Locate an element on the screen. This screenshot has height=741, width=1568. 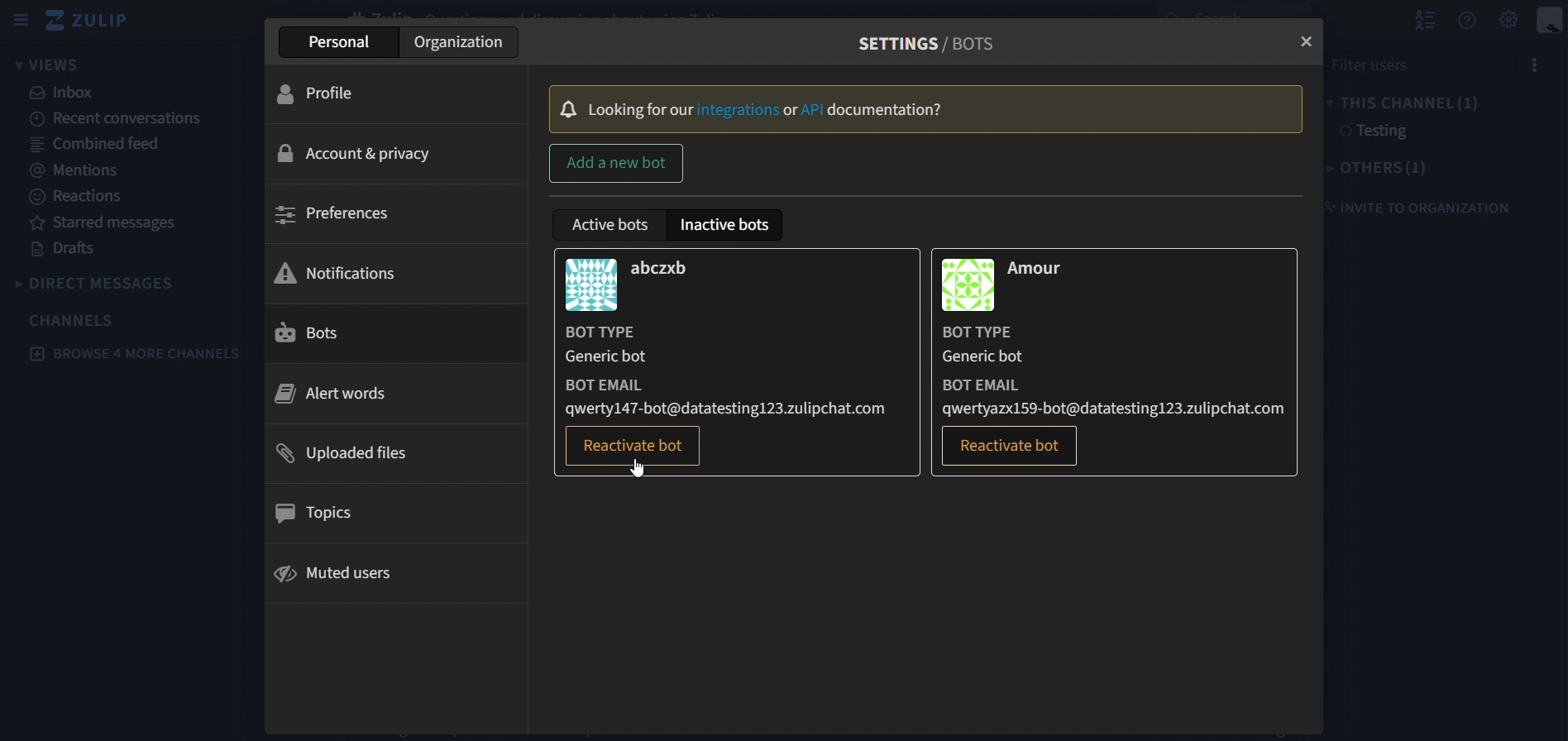
qwerty147-bot@datatesting123.zulipchat.com is located at coordinates (724, 409).